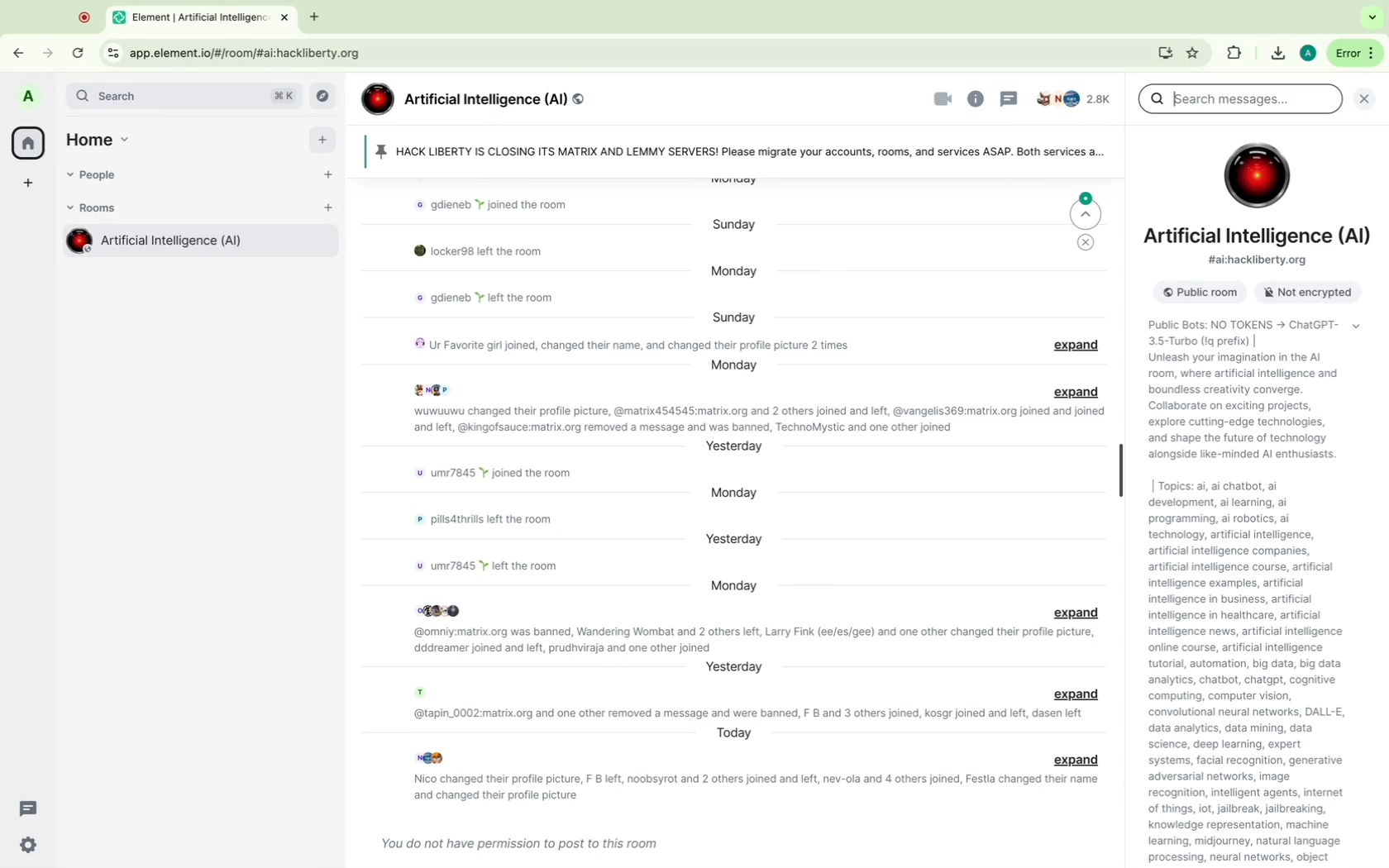 This screenshot has width=1389, height=868. What do you see at coordinates (501, 253) in the screenshot?
I see `message` at bounding box center [501, 253].